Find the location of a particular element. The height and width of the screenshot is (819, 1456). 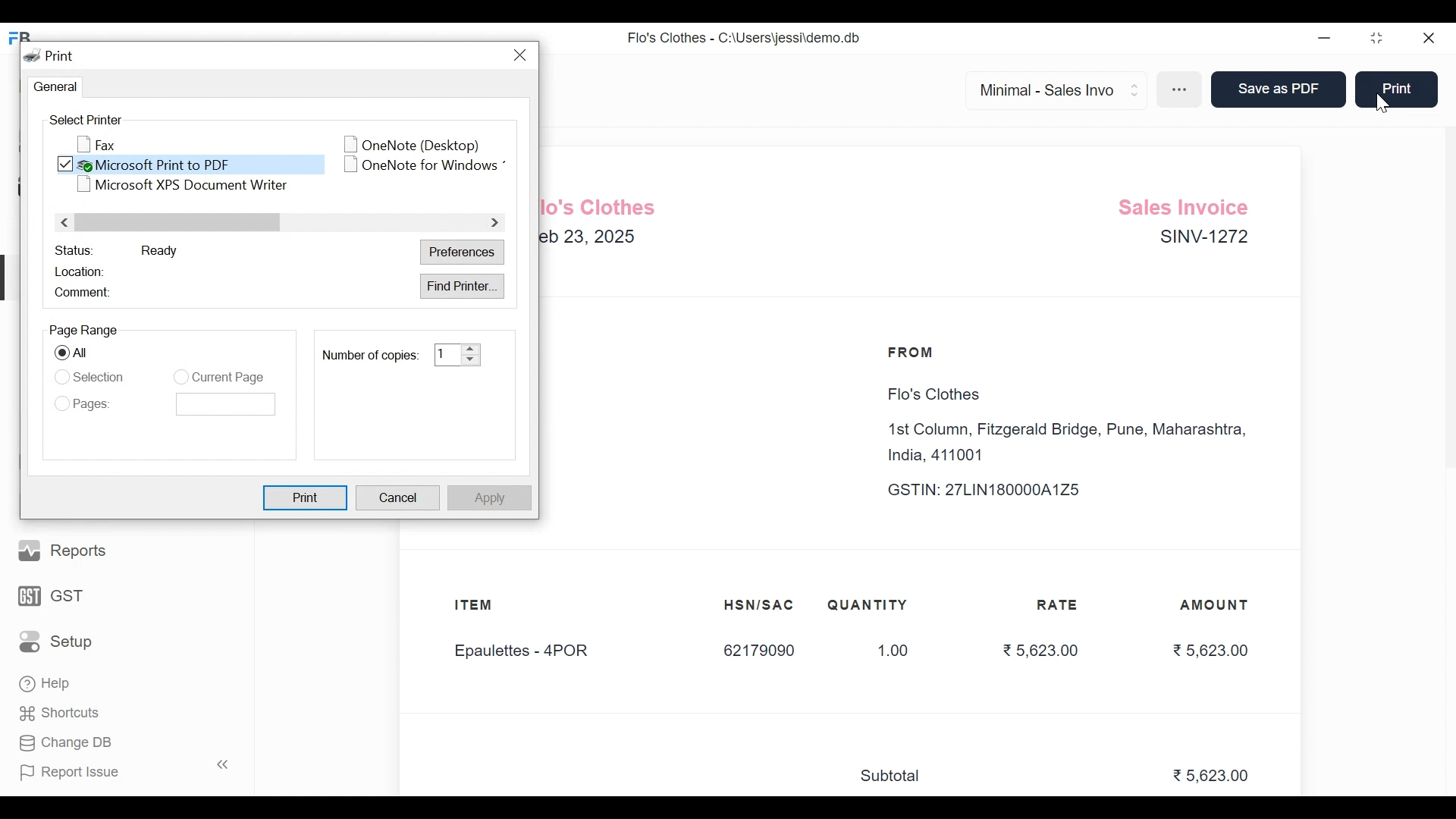

HSN/SAC is located at coordinates (760, 605).